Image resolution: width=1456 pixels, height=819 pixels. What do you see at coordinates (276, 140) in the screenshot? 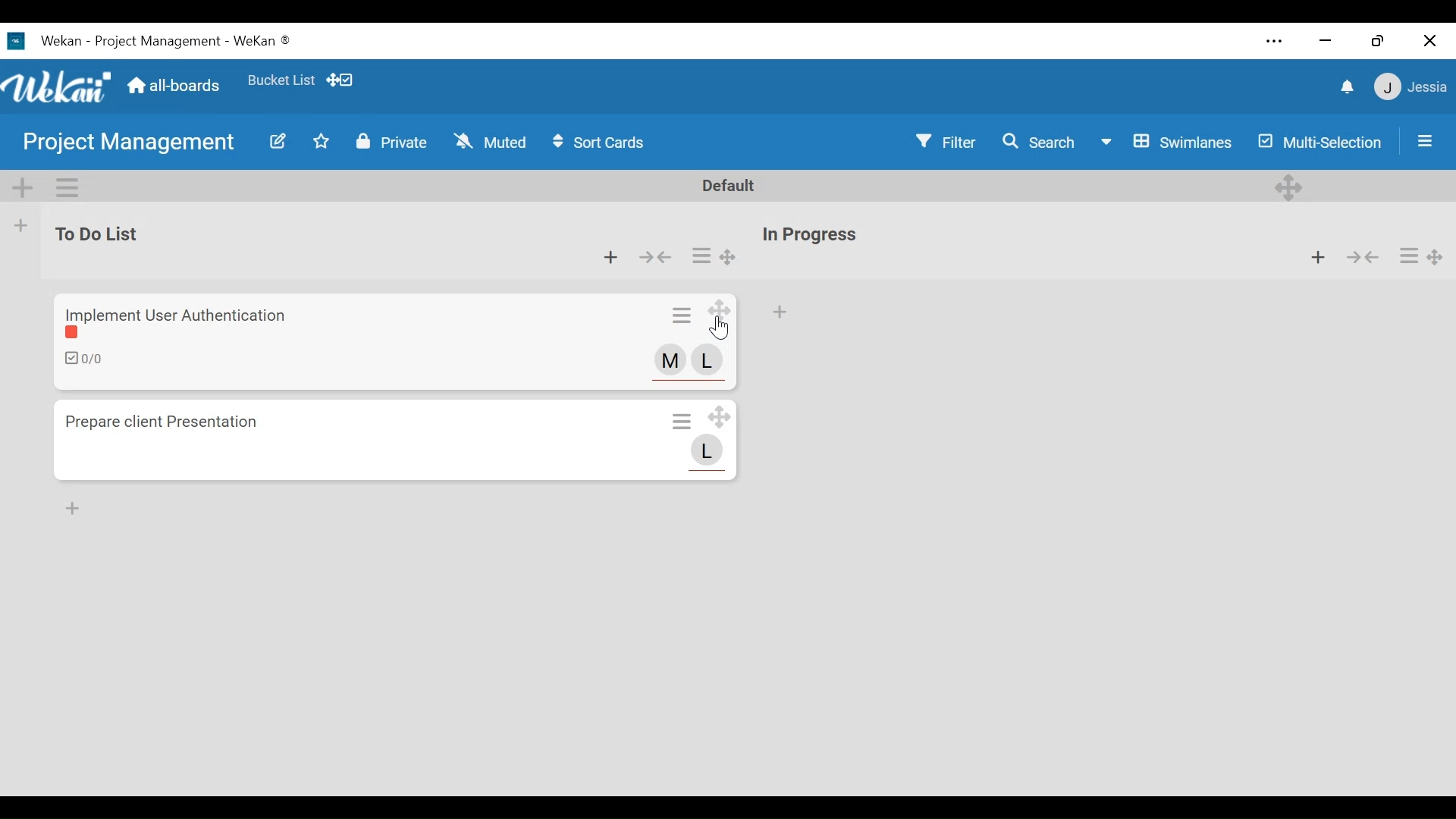
I see `Edit` at bounding box center [276, 140].